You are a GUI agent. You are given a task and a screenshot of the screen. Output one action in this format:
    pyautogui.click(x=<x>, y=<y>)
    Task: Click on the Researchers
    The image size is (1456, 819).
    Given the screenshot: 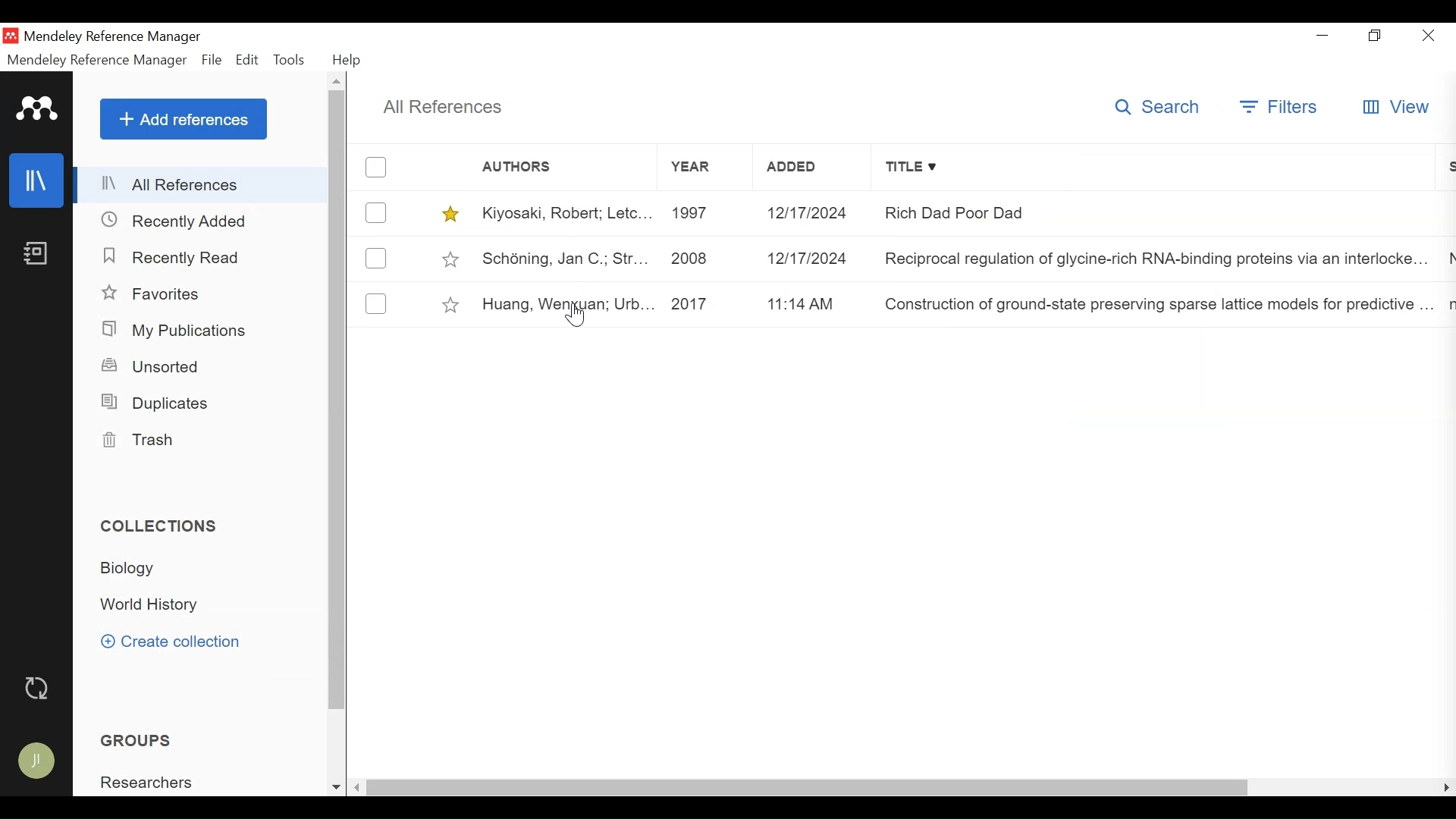 What is the action you would take?
    pyautogui.click(x=152, y=782)
    